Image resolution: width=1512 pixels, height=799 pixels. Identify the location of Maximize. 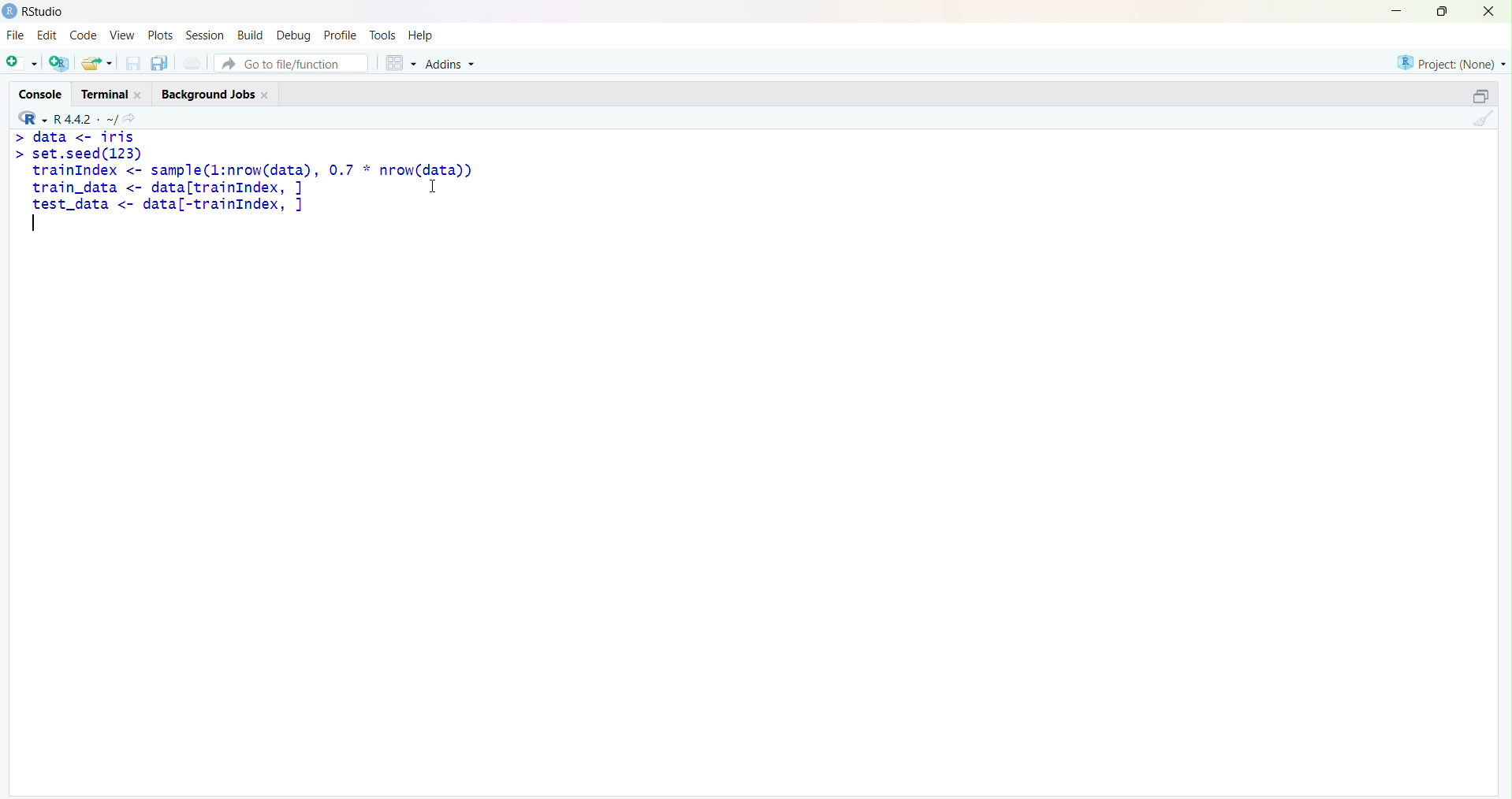
(1441, 12).